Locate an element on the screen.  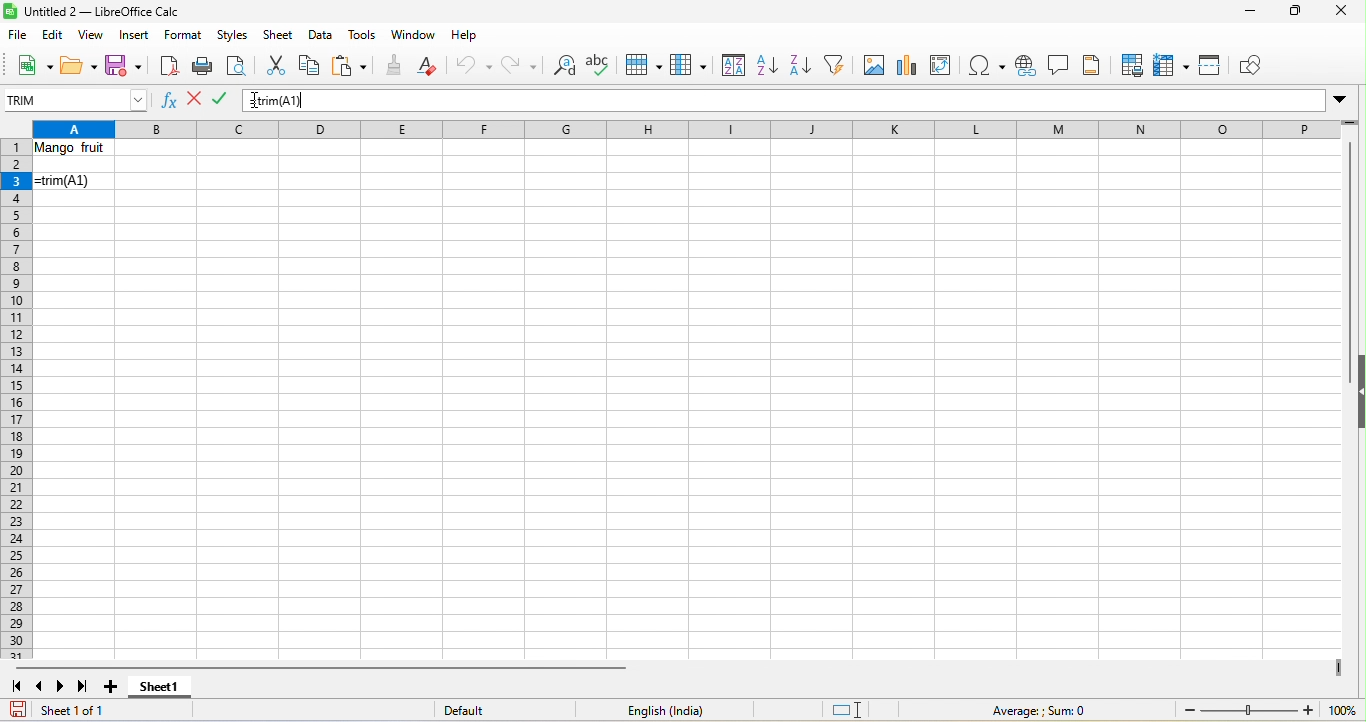
chart is located at coordinates (906, 64).